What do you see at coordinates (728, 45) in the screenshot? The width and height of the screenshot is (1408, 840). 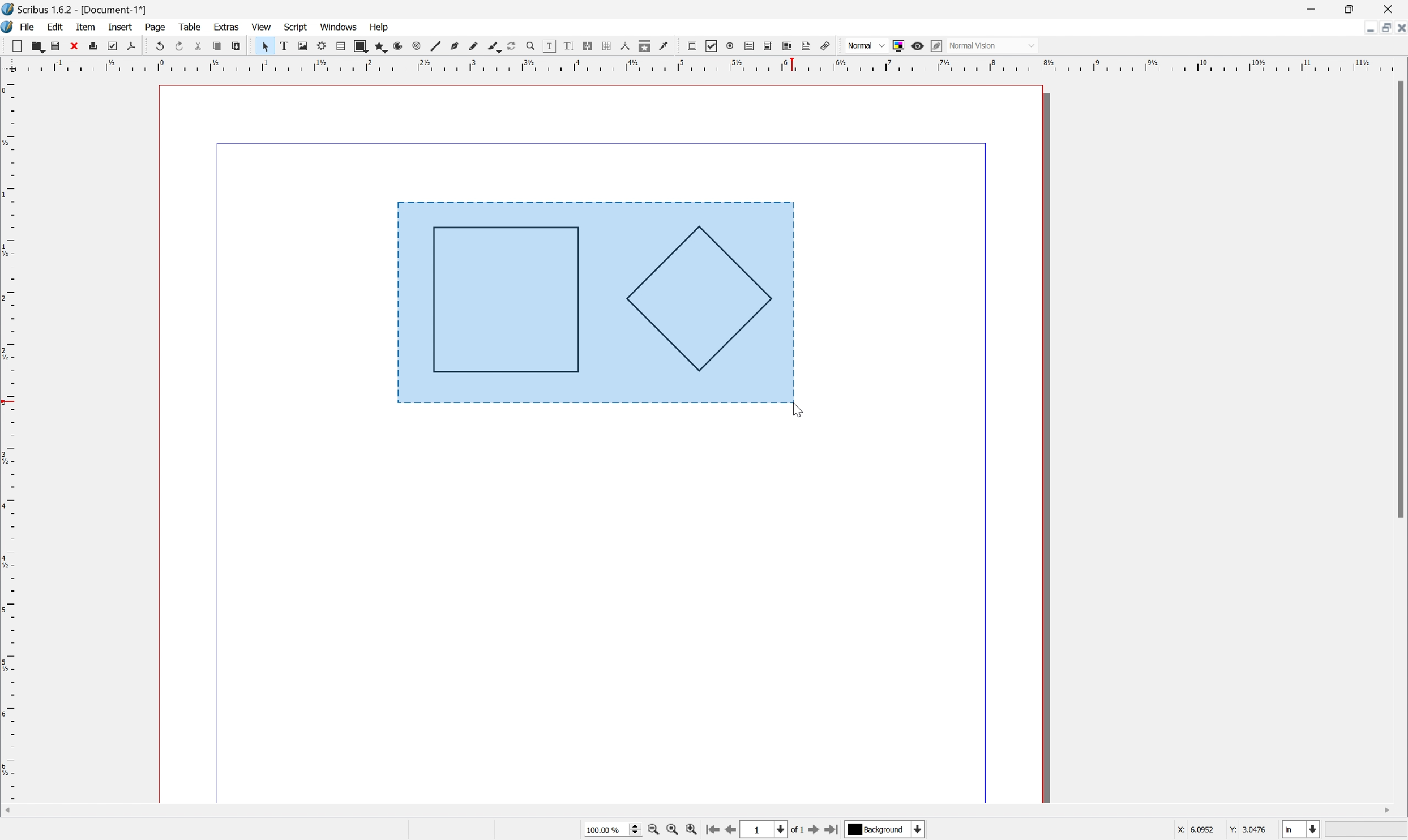 I see `pdf radio box` at bounding box center [728, 45].